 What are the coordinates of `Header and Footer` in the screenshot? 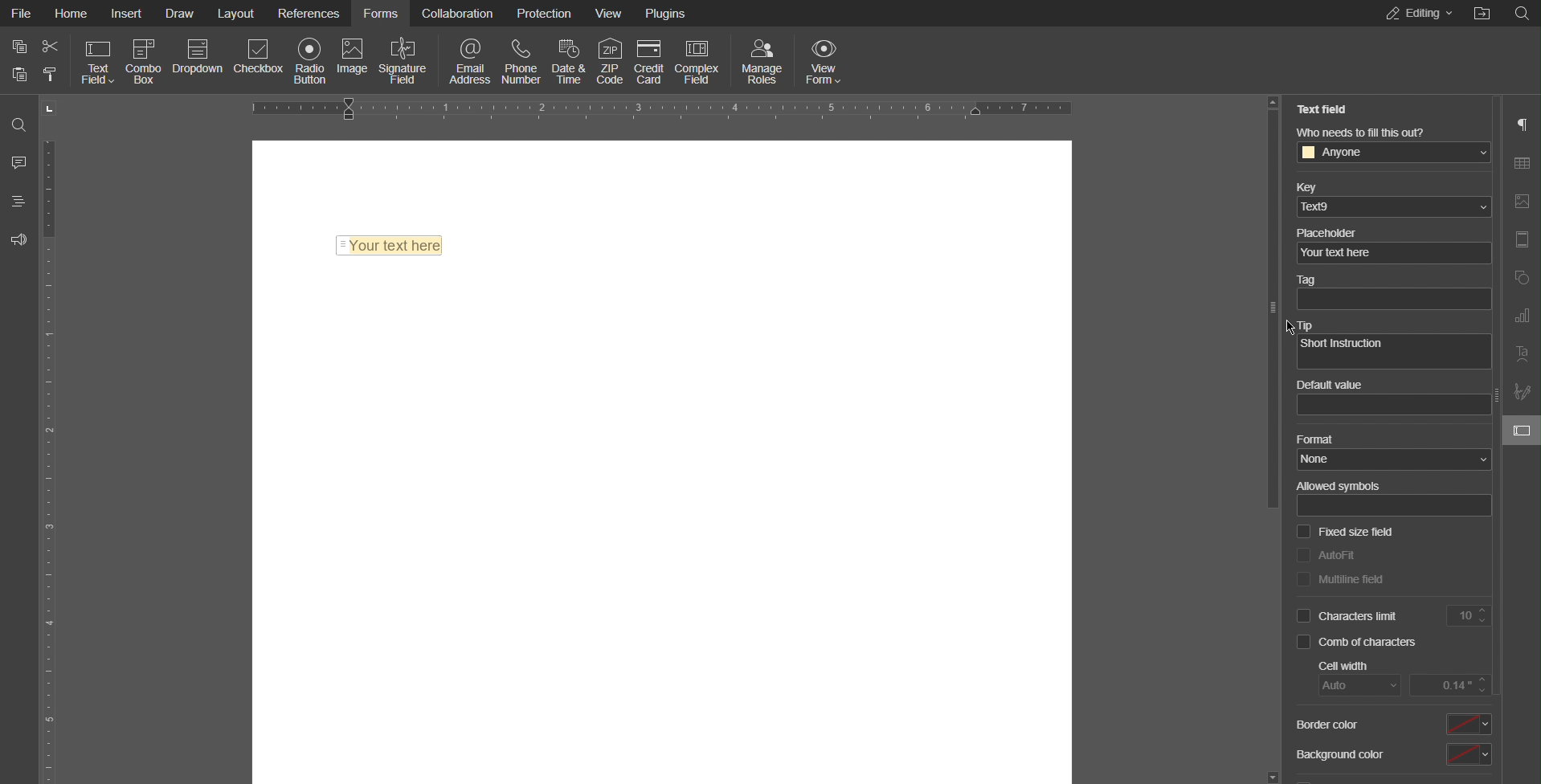 It's located at (1522, 241).